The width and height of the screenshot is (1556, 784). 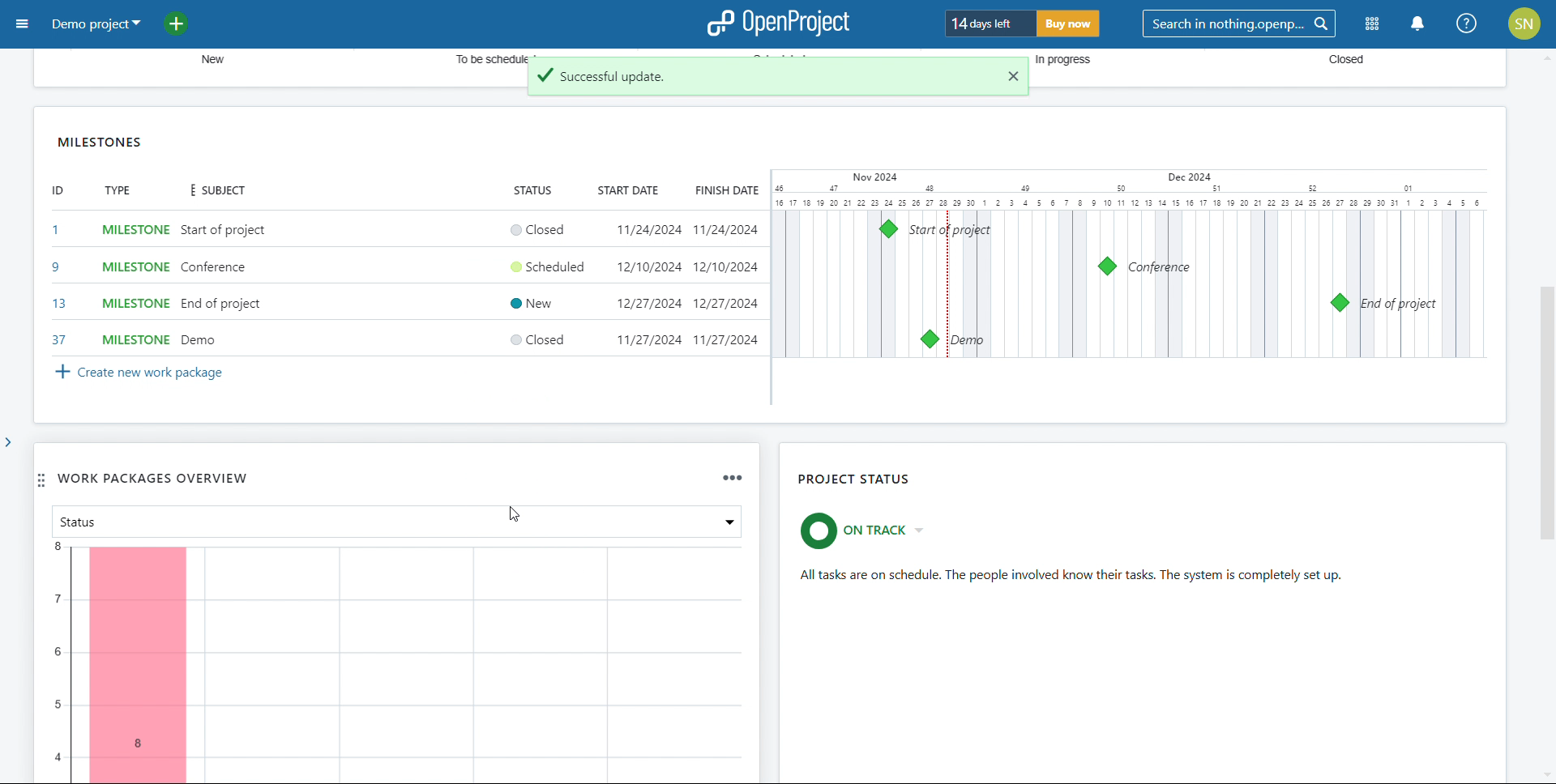 I want to click on add project, so click(x=186, y=23).